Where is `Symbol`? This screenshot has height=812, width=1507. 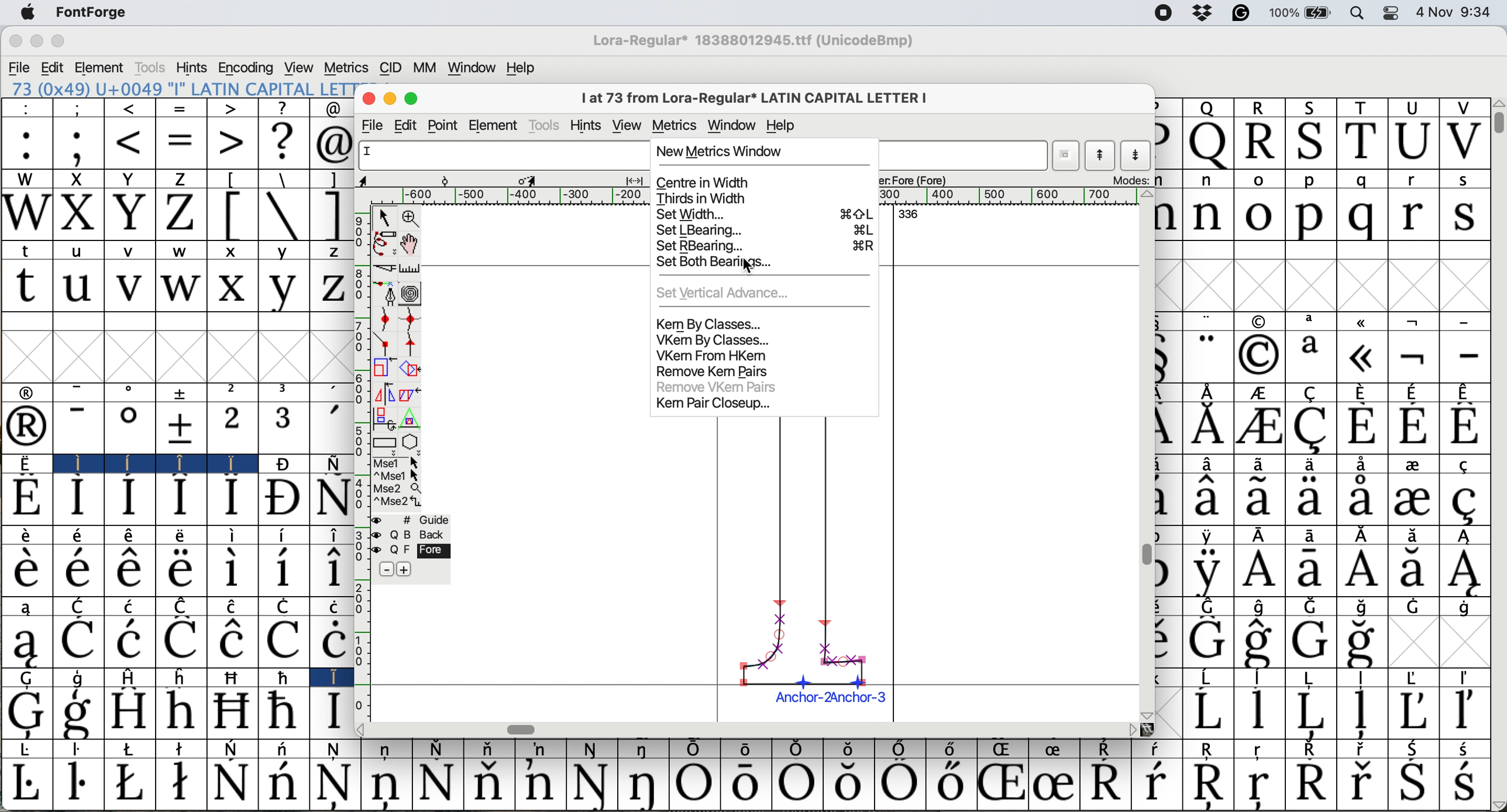
Symbol is located at coordinates (1364, 749).